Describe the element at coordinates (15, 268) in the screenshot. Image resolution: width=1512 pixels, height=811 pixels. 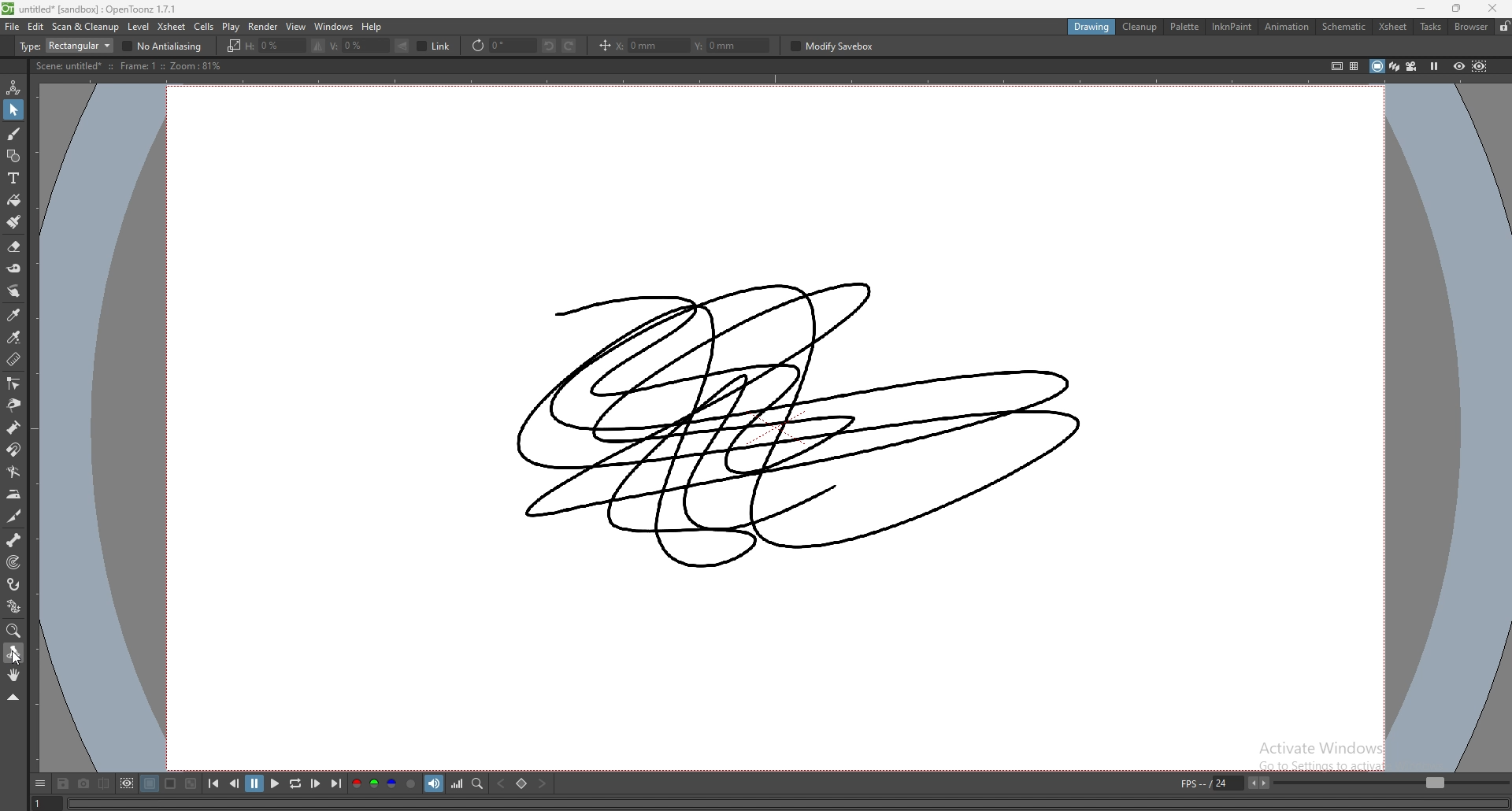
I see `tape` at that location.